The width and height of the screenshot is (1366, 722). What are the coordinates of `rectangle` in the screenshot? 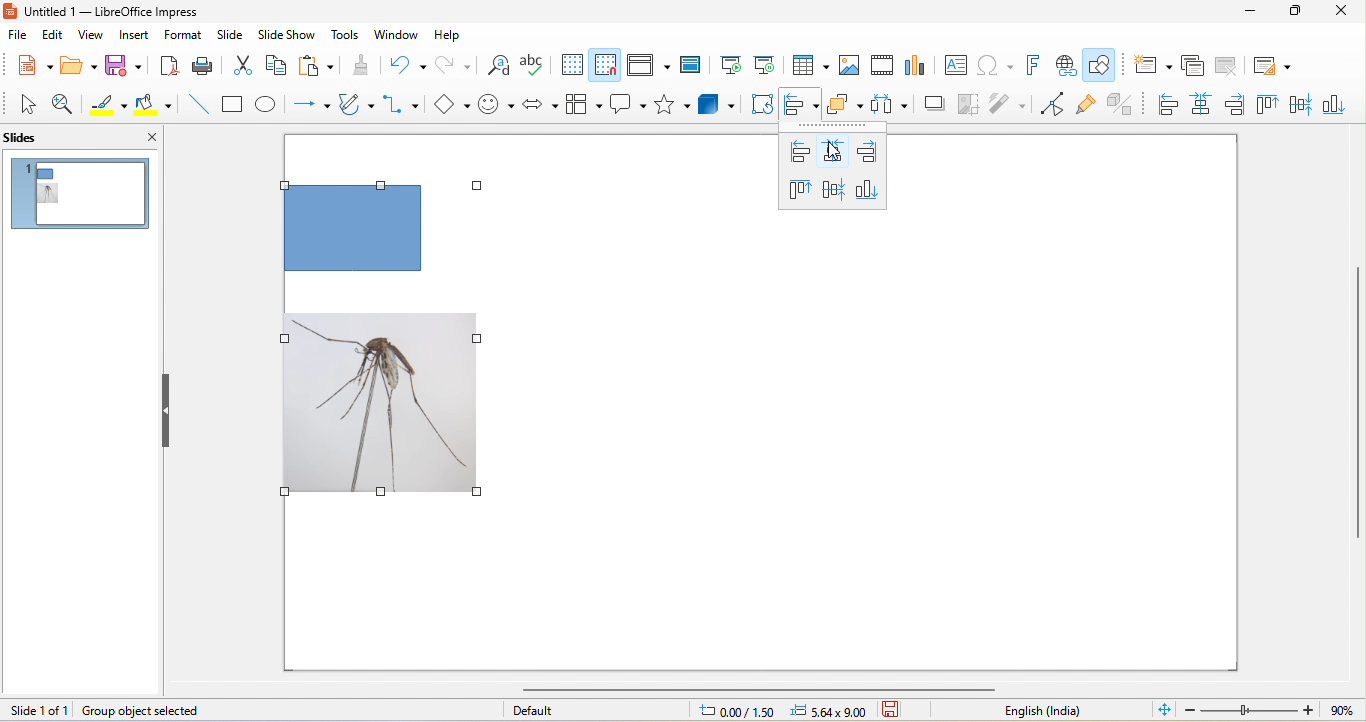 It's located at (236, 105).